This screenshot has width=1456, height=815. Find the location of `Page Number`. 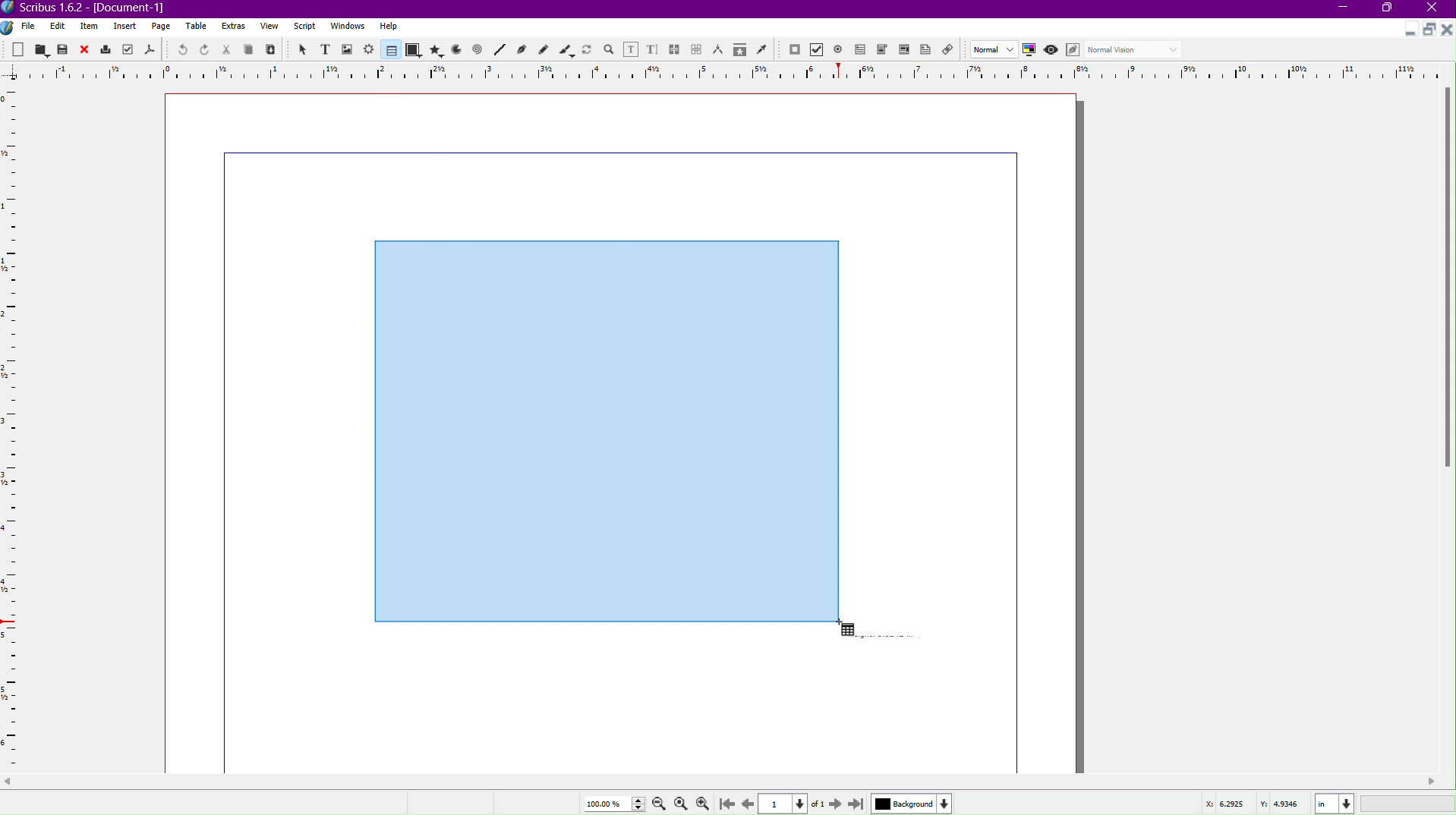

Page Number is located at coordinates (785, 804).